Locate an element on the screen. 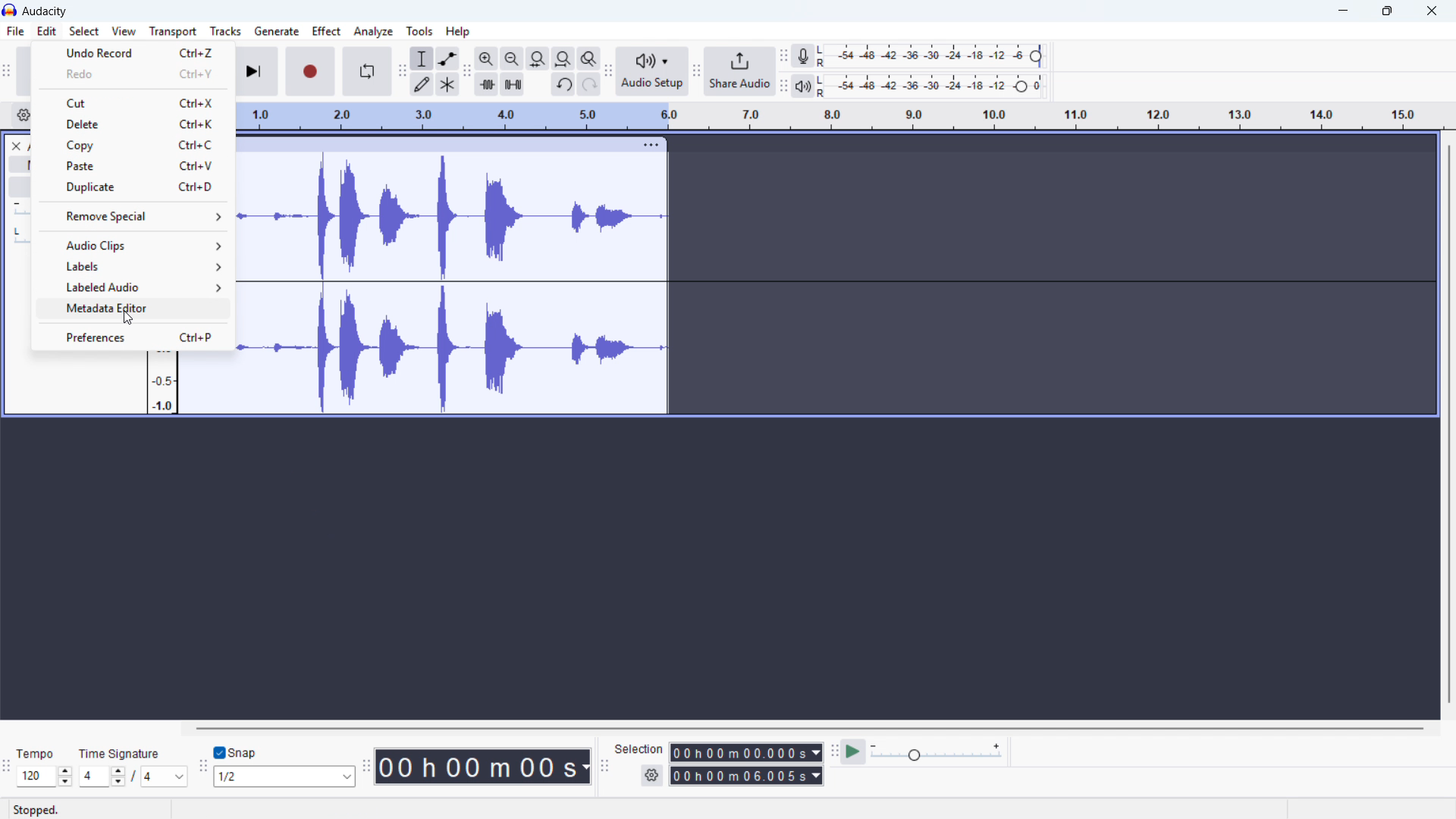  play at speed toolbar is located at coordinates (833, 753).